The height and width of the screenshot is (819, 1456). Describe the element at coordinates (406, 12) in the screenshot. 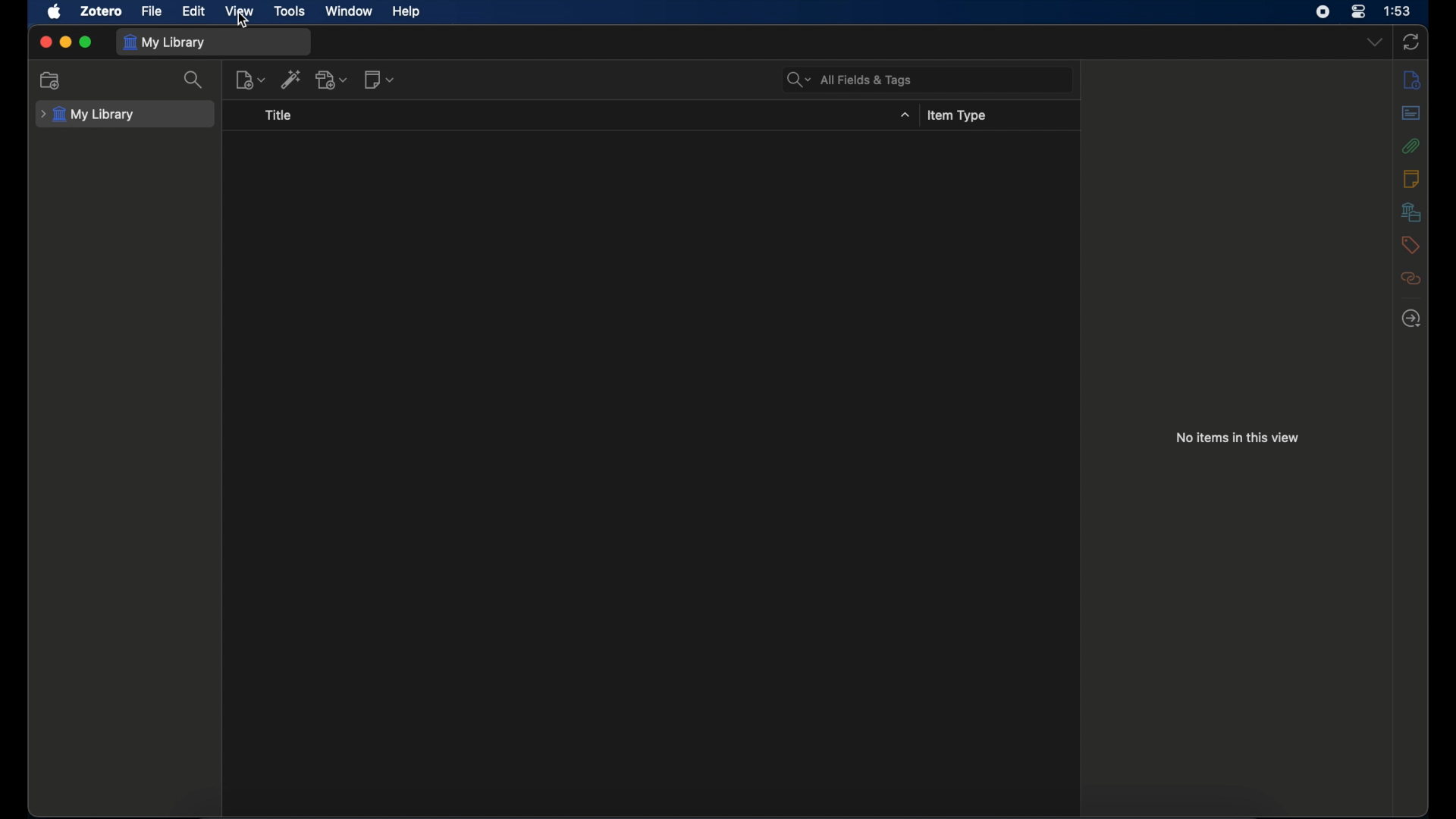

I see `help` at that location.